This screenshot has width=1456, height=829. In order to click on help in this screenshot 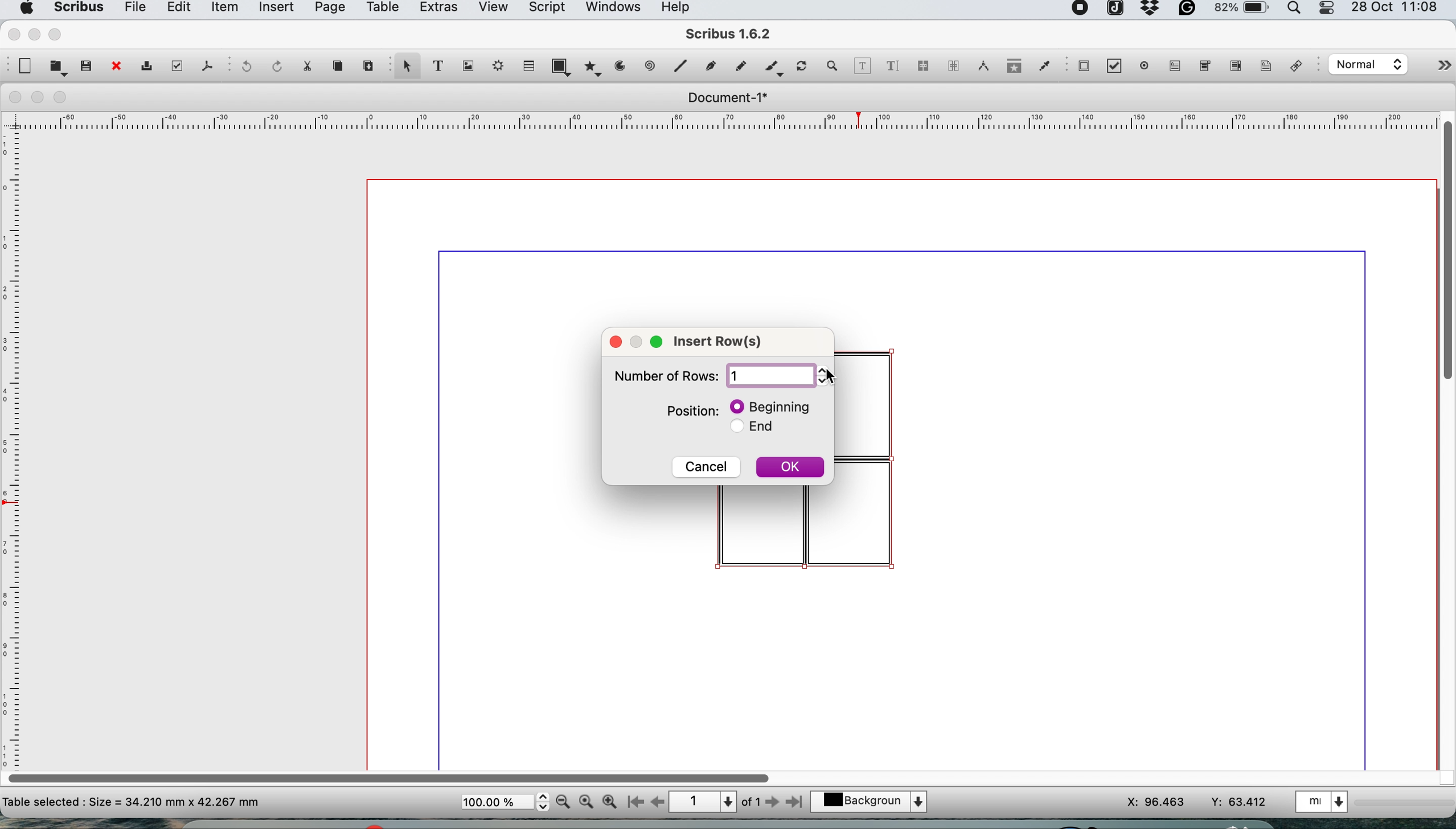, I will do `click(681, 9)`.